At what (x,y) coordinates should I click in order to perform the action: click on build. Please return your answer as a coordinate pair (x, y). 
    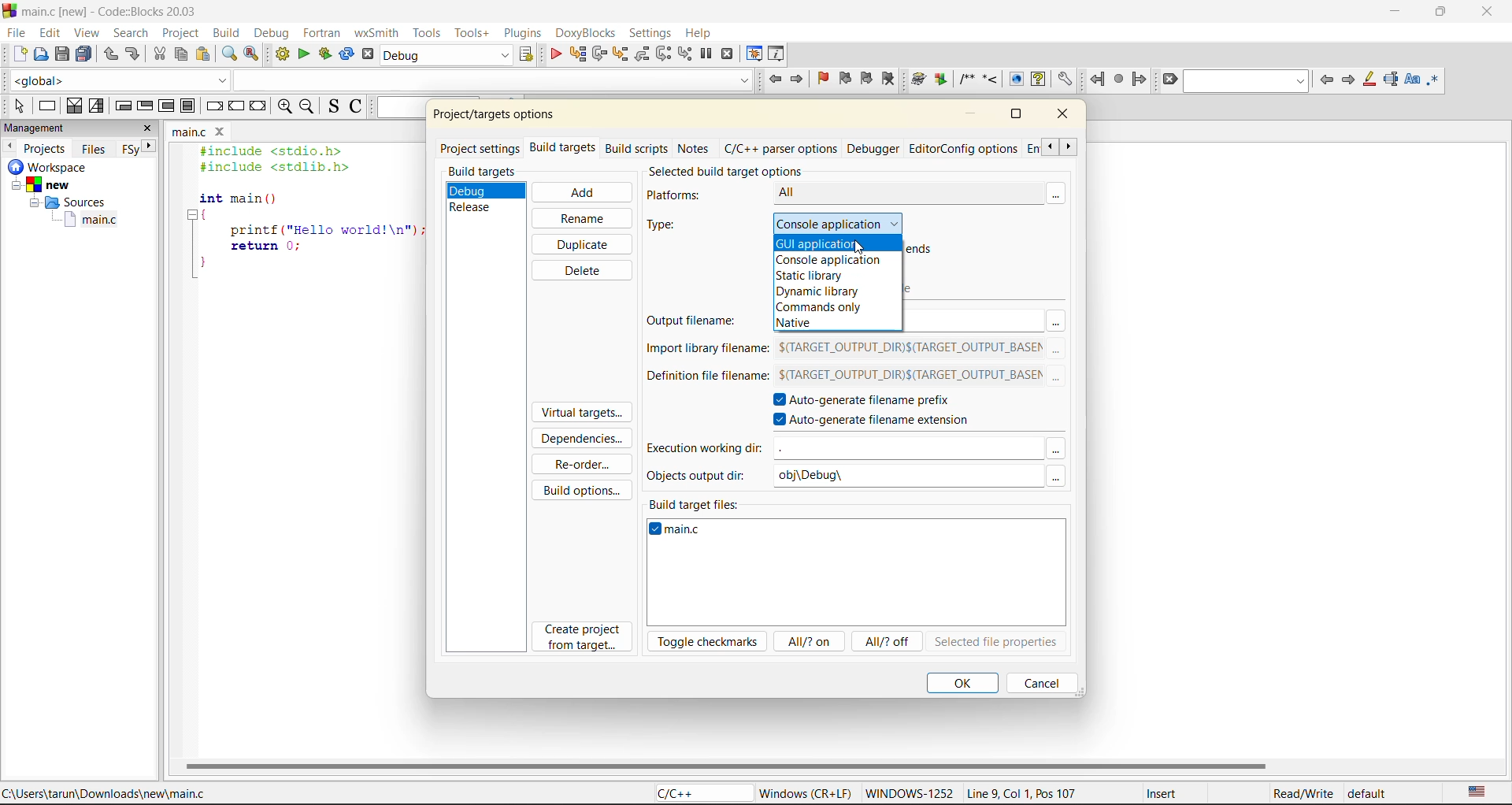
    Looking at the image, I should click on (282, 54).